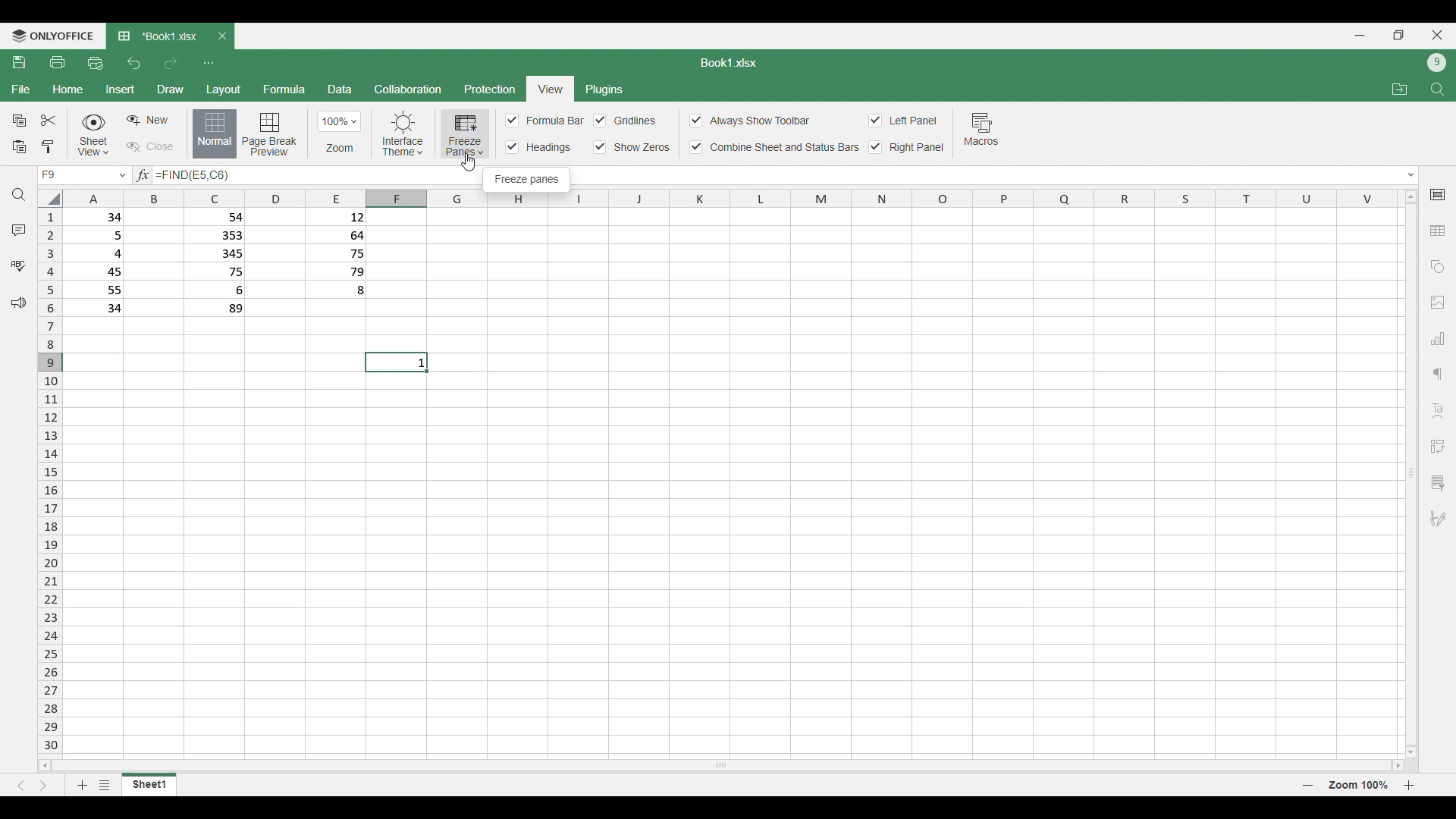 This screenshot has width=1456, height=819. I want to click on Feedback and support, so click(17, 304).